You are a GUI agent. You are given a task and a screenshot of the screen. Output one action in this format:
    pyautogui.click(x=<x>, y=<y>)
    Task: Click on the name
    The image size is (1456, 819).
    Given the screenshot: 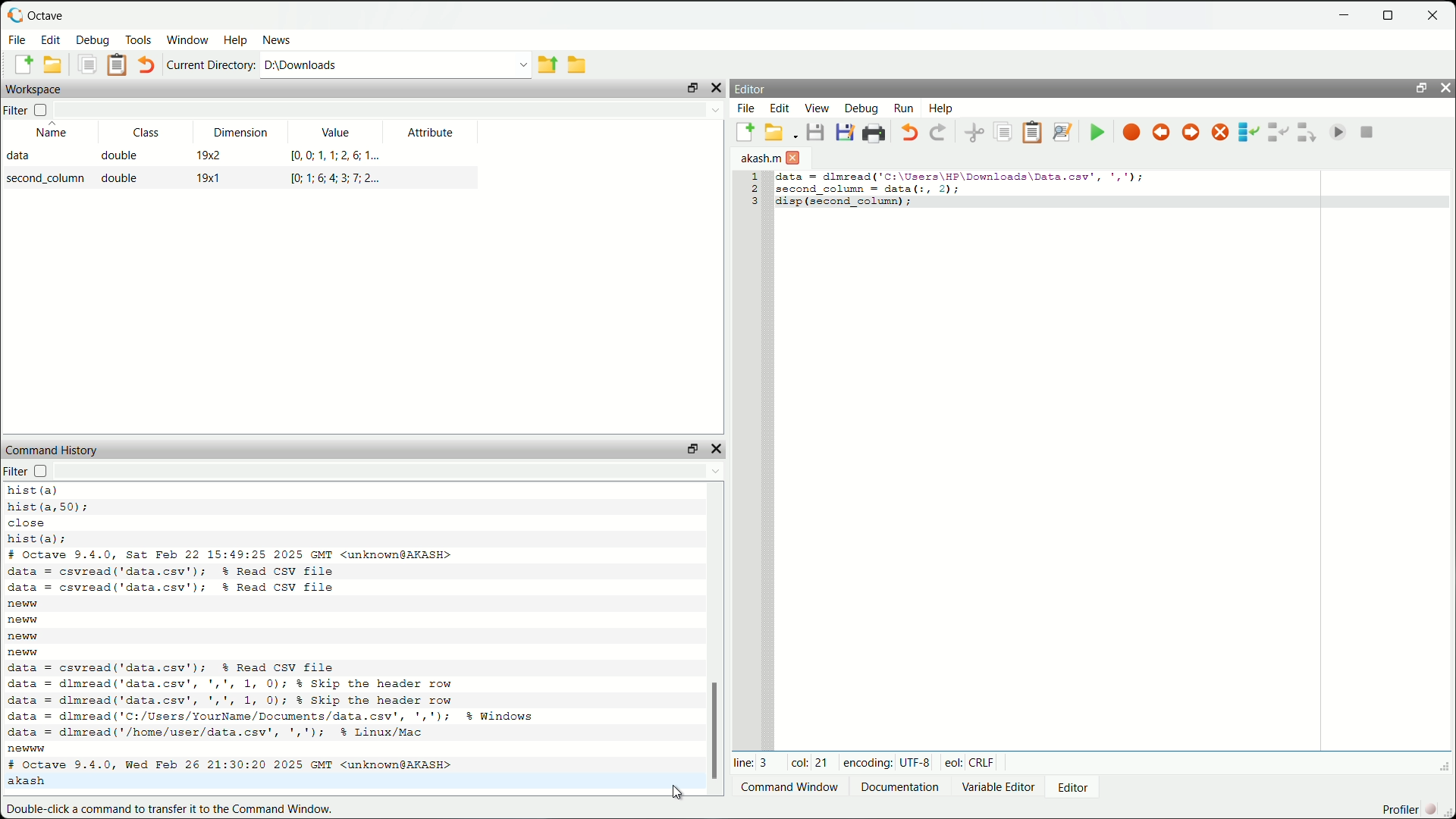 What is the action you would take?
    pyautogui.click(x=55, y=134)
    